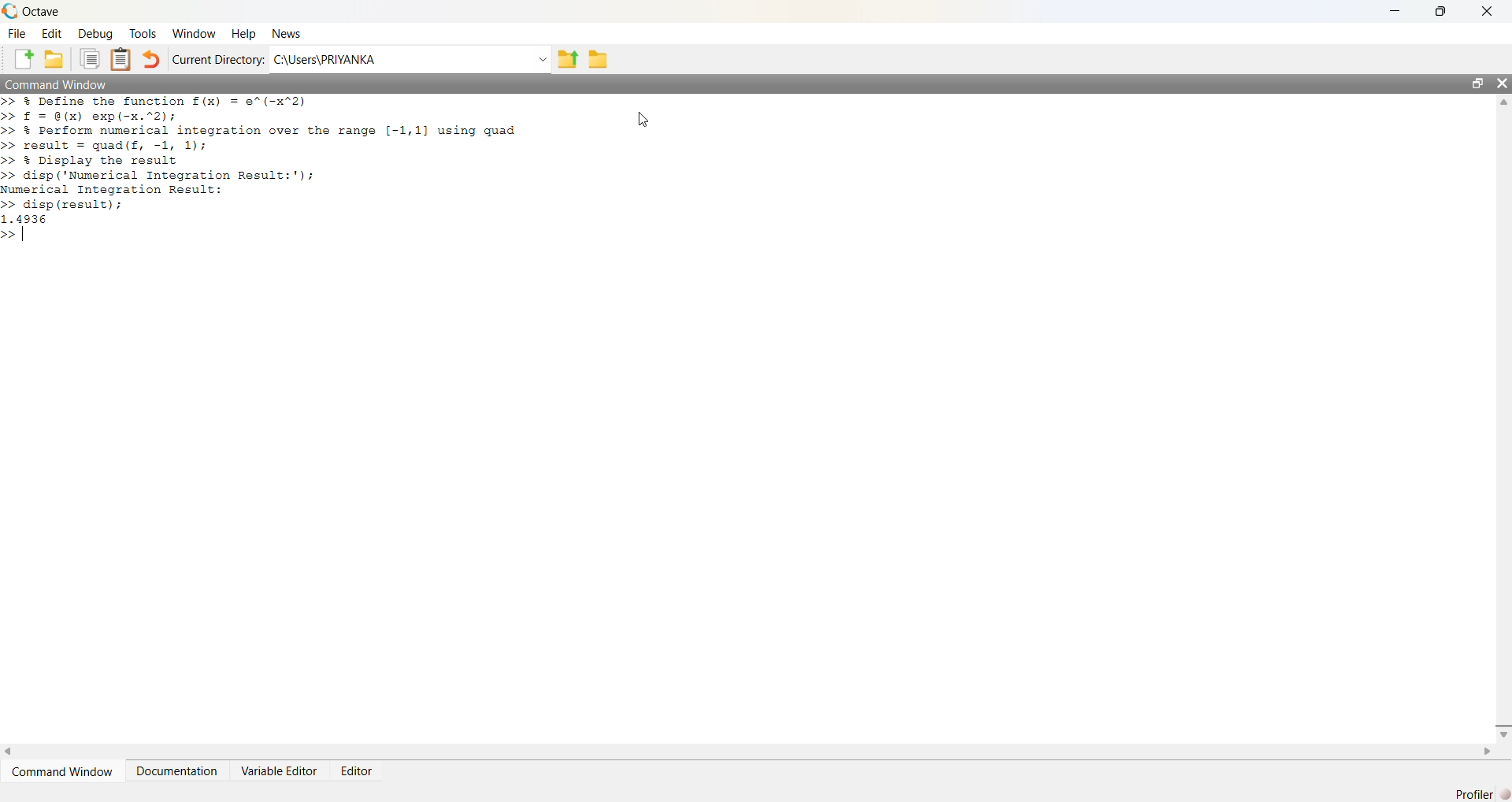 The width and height of the screenshot is (1512, 802). Describe the element at coordinates (1440, 12) in the screenshot. I see `restore` at that location.